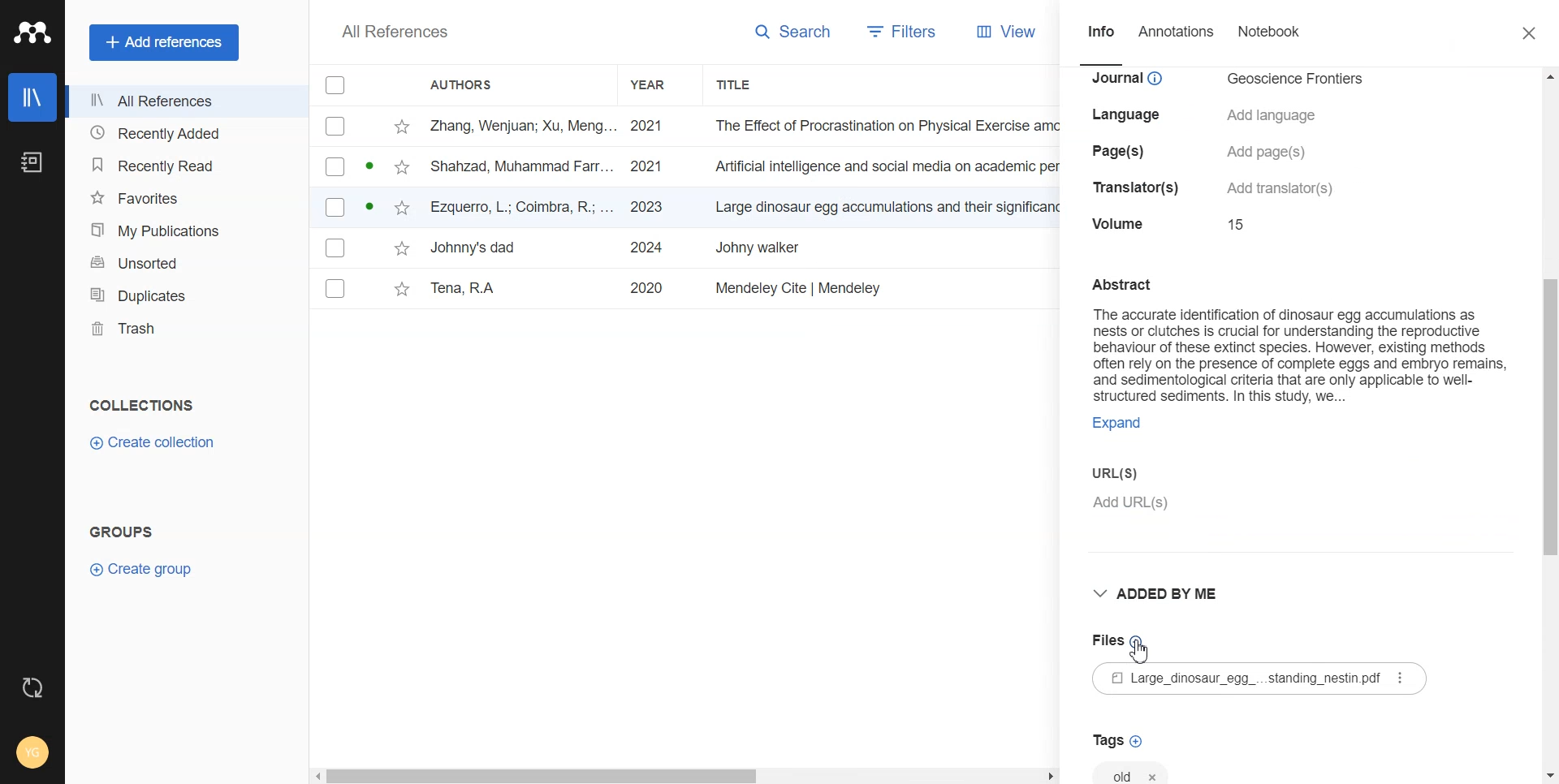 The width and height of the screenshot is (1559, 784). I want to click on Authors, so click(469, 84).